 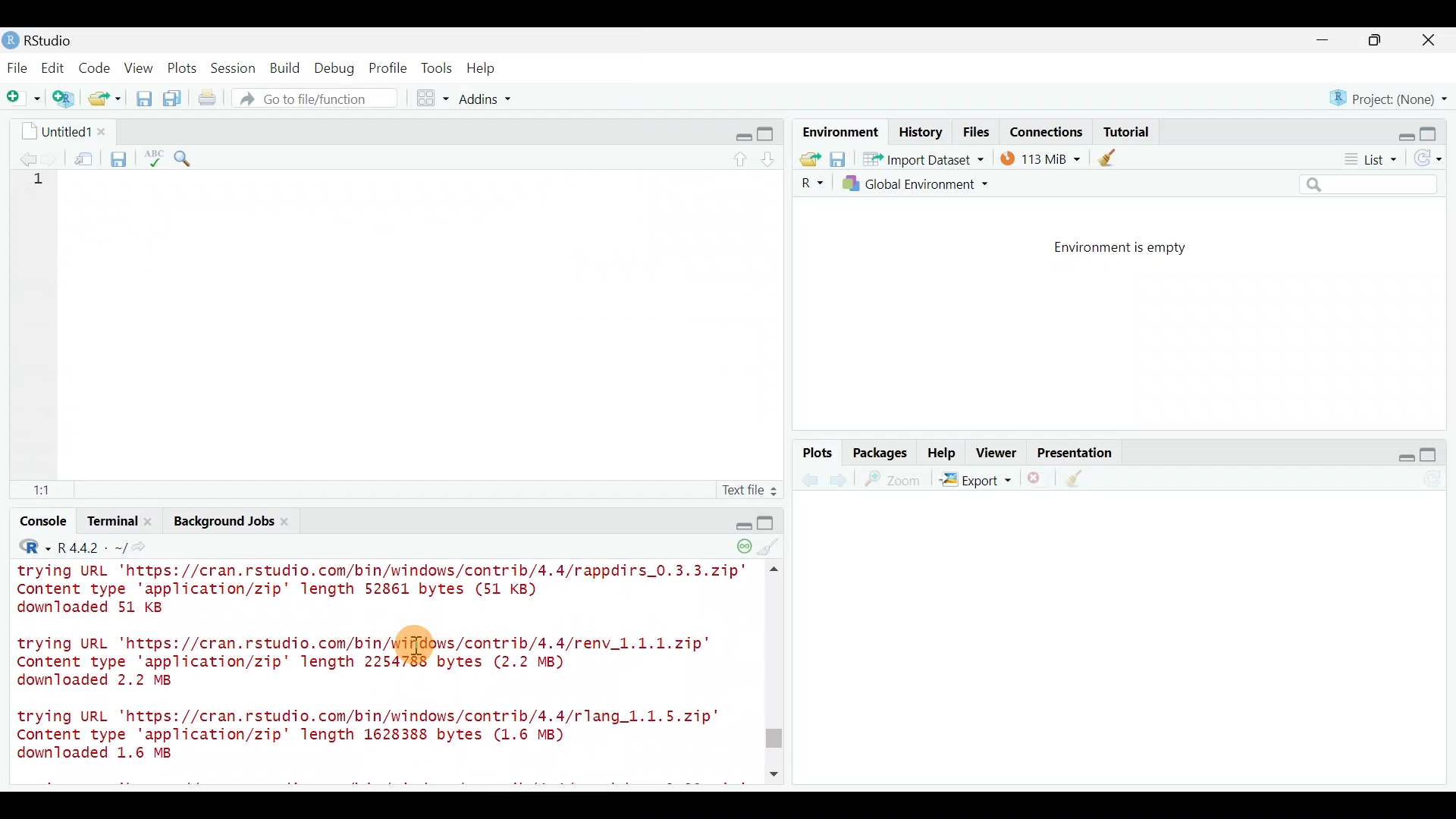 What do you see at coordinates (286, 67) in the screenshot?
I see `Build` at bounding box center [286, 67].